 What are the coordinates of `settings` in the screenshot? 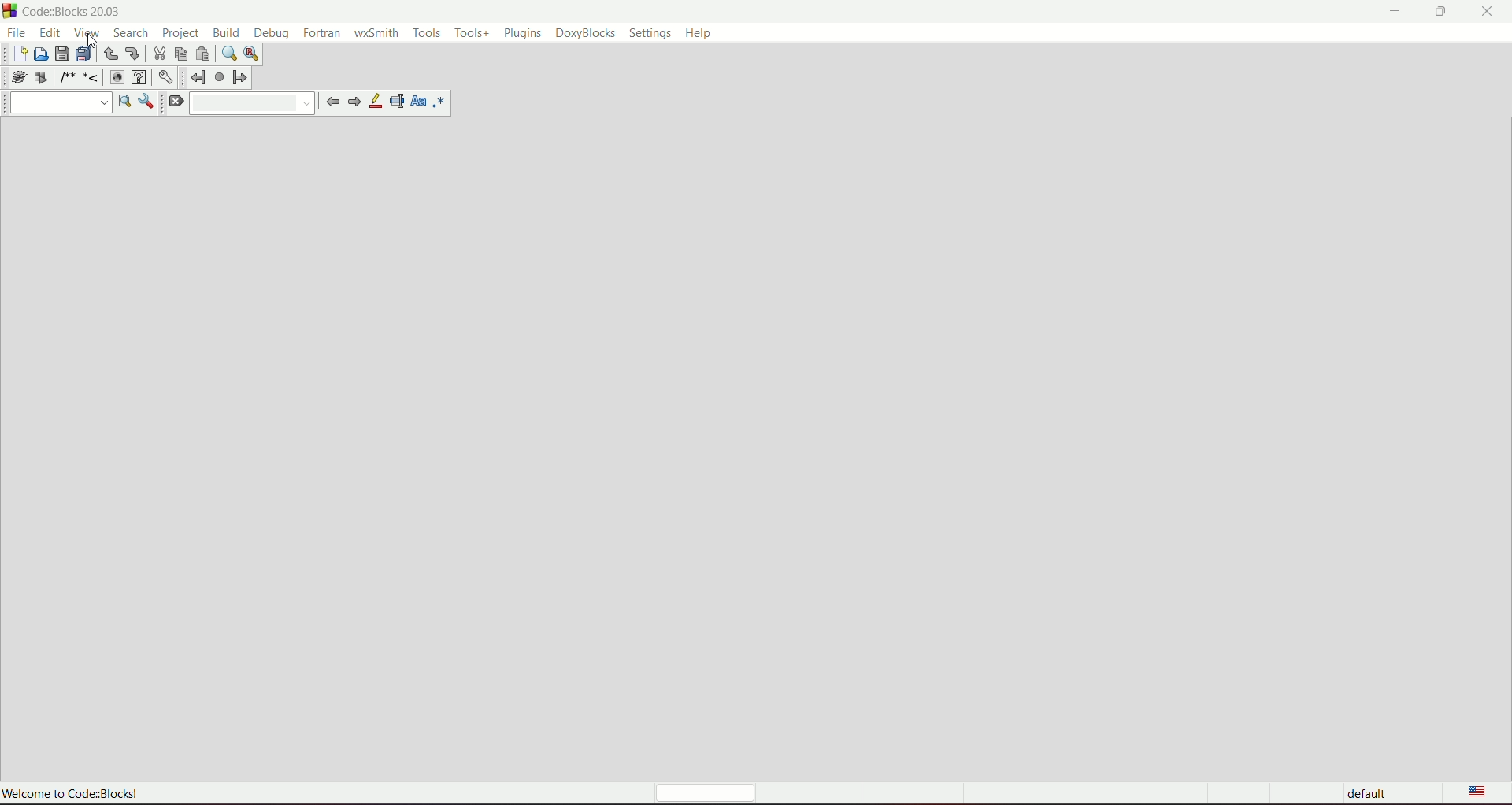 It's located at (649, 33).